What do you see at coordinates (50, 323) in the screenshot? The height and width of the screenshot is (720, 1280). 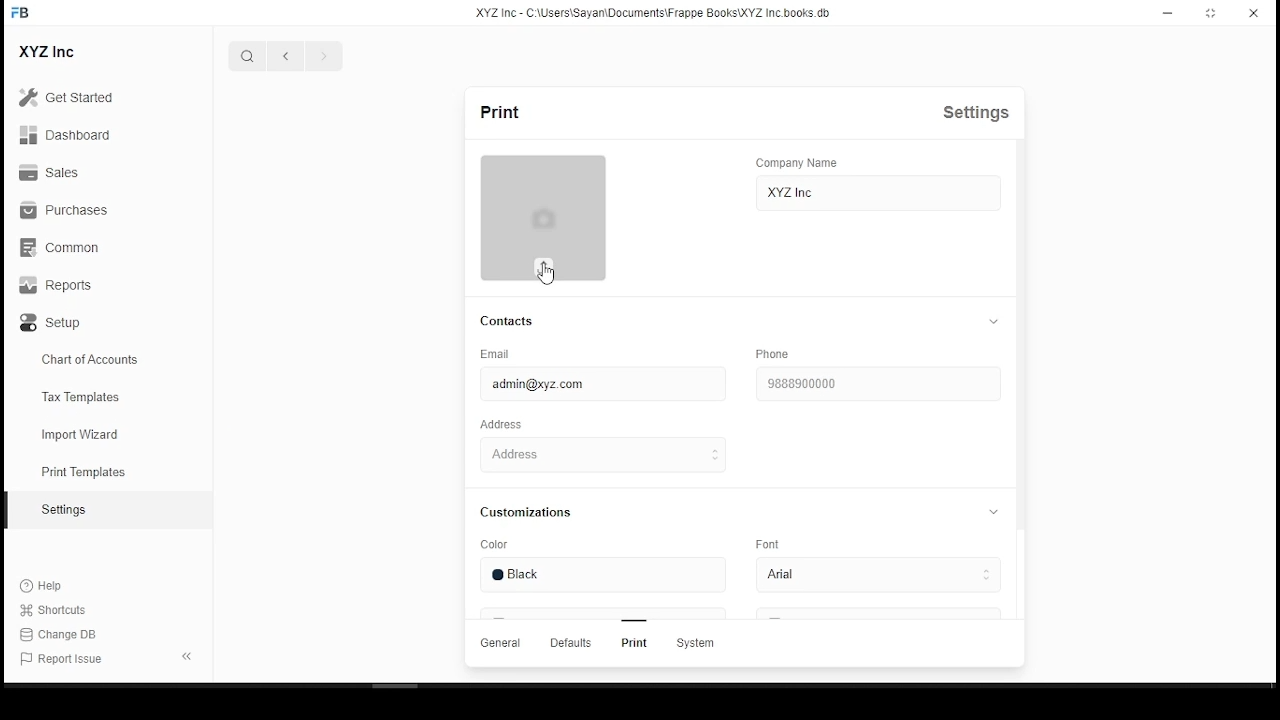 I see `Setup` at bounding box center [50, 323].